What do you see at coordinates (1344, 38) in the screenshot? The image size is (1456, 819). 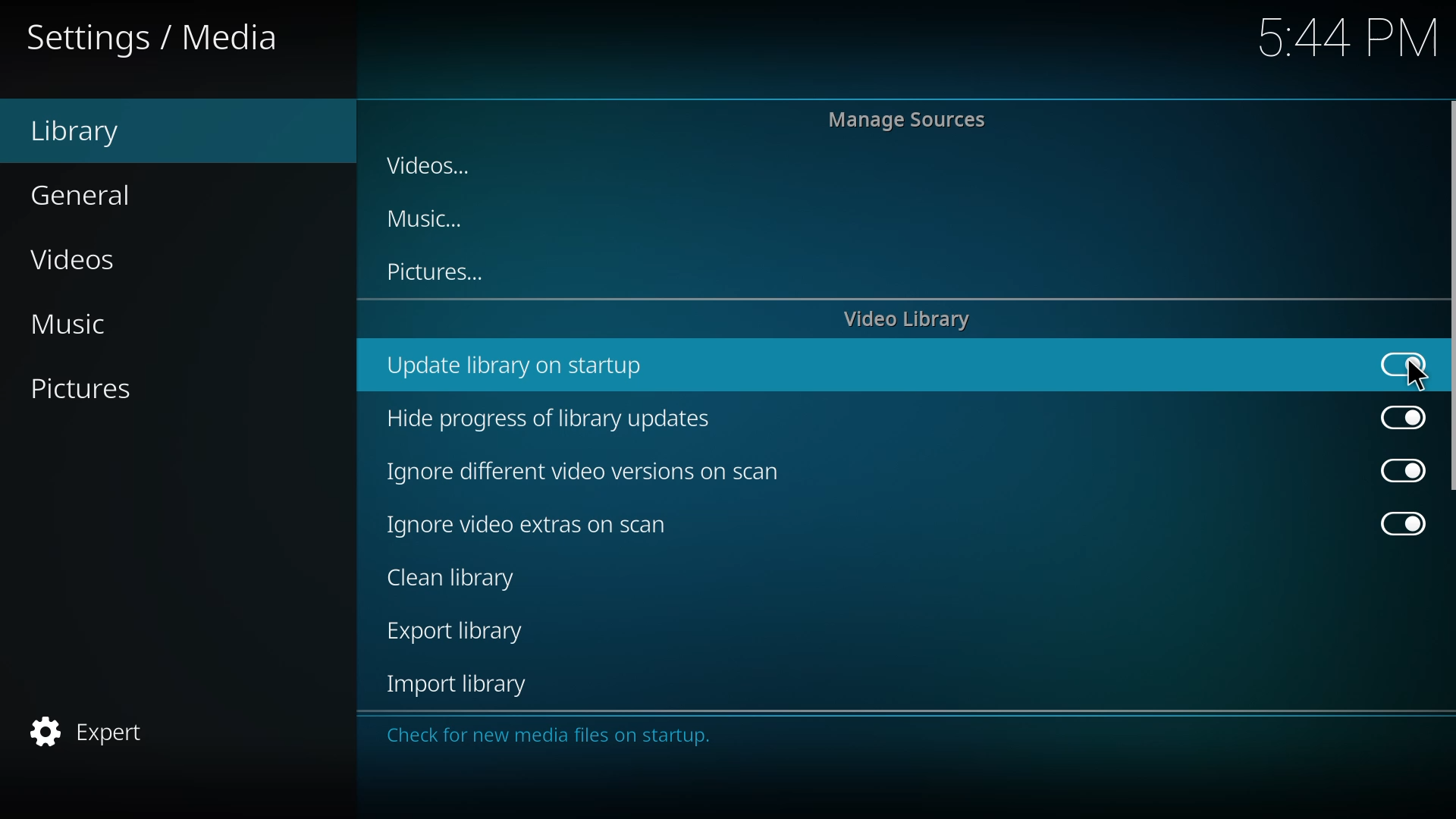 I see `544 PM` at bounding box center [1344, 38].